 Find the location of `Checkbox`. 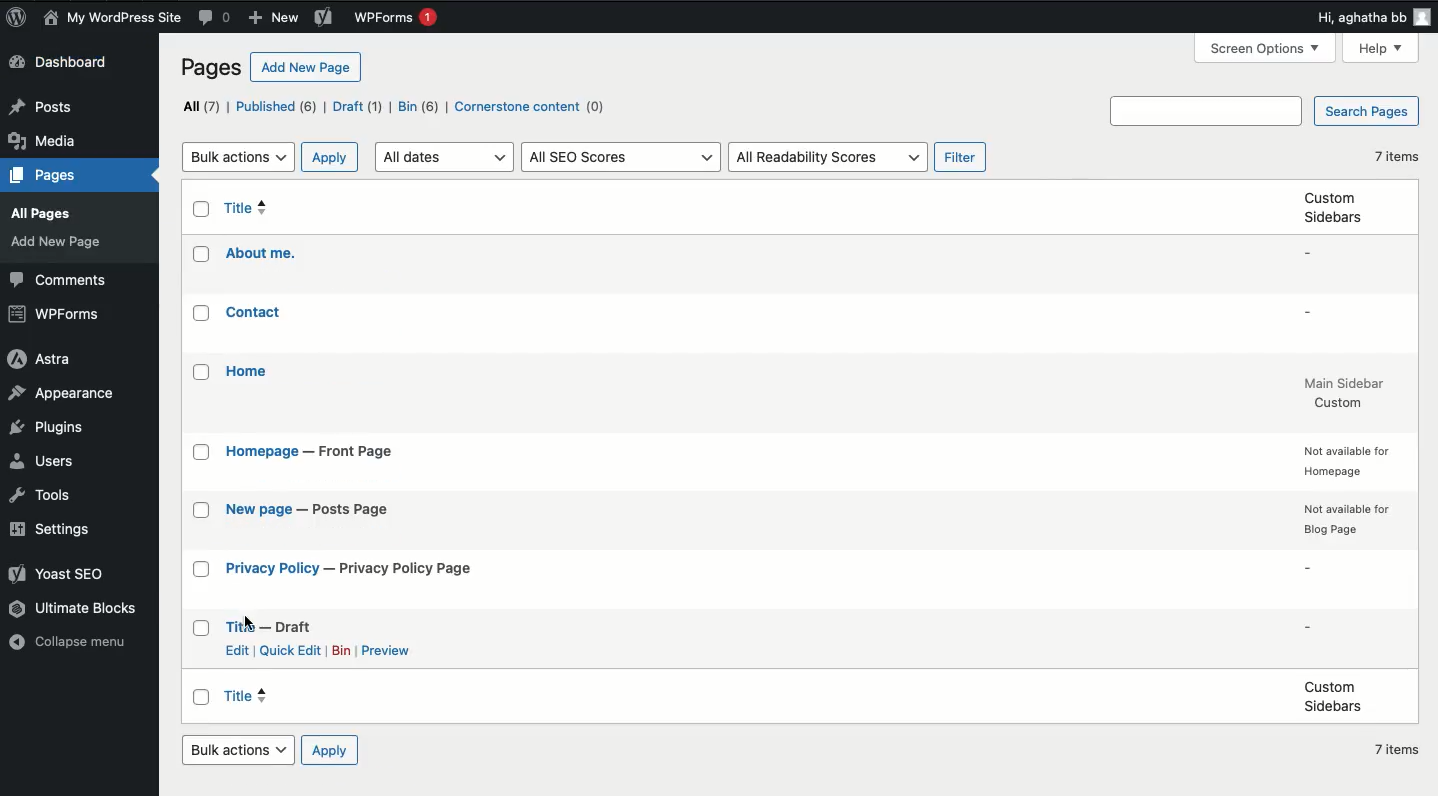

Checkbox is located at coordinates (202, 371).